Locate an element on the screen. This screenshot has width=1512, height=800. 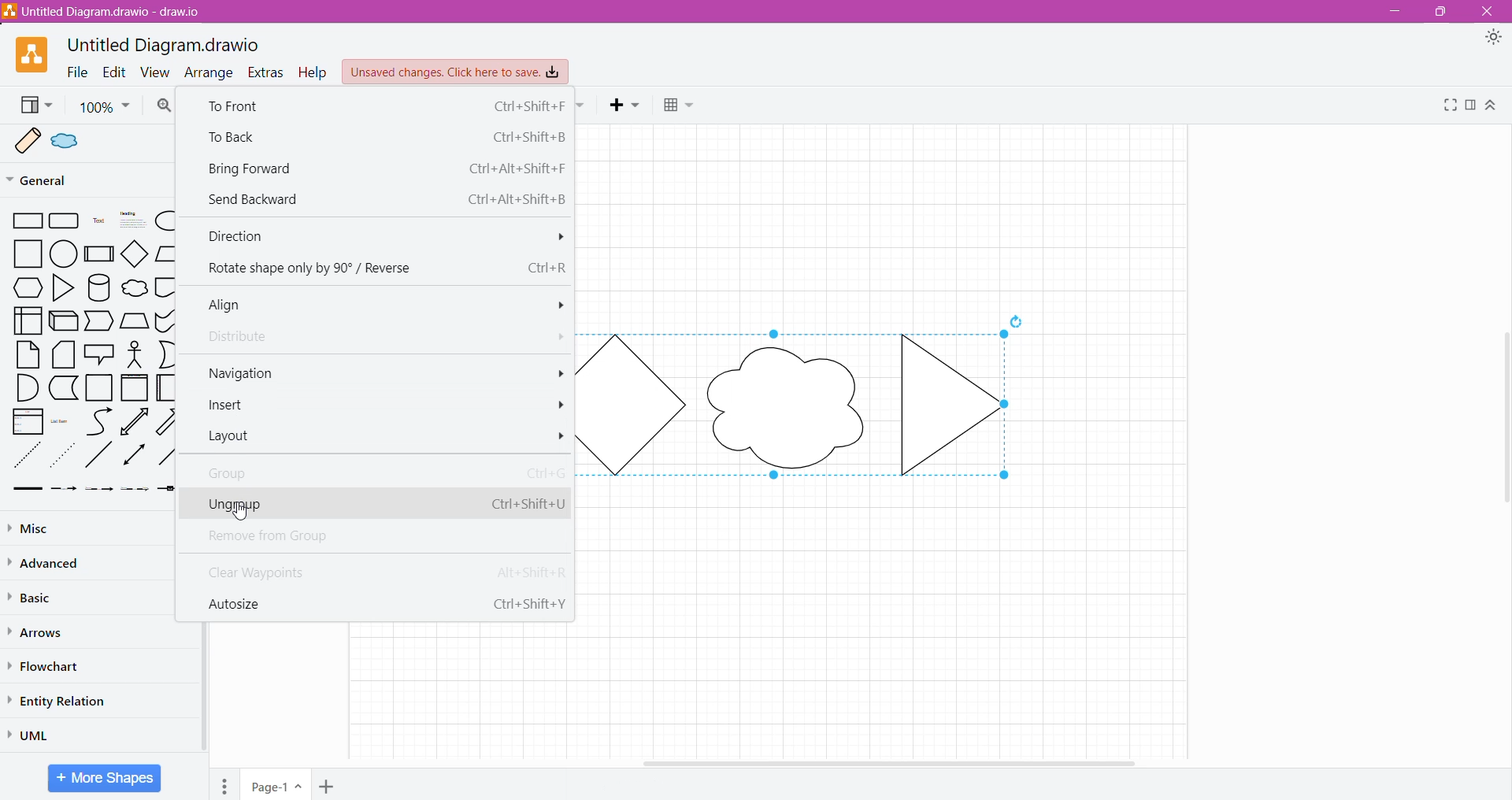
Bring Forward Ctrl+Alt+Shift+F is located at coordinates (390, 168).